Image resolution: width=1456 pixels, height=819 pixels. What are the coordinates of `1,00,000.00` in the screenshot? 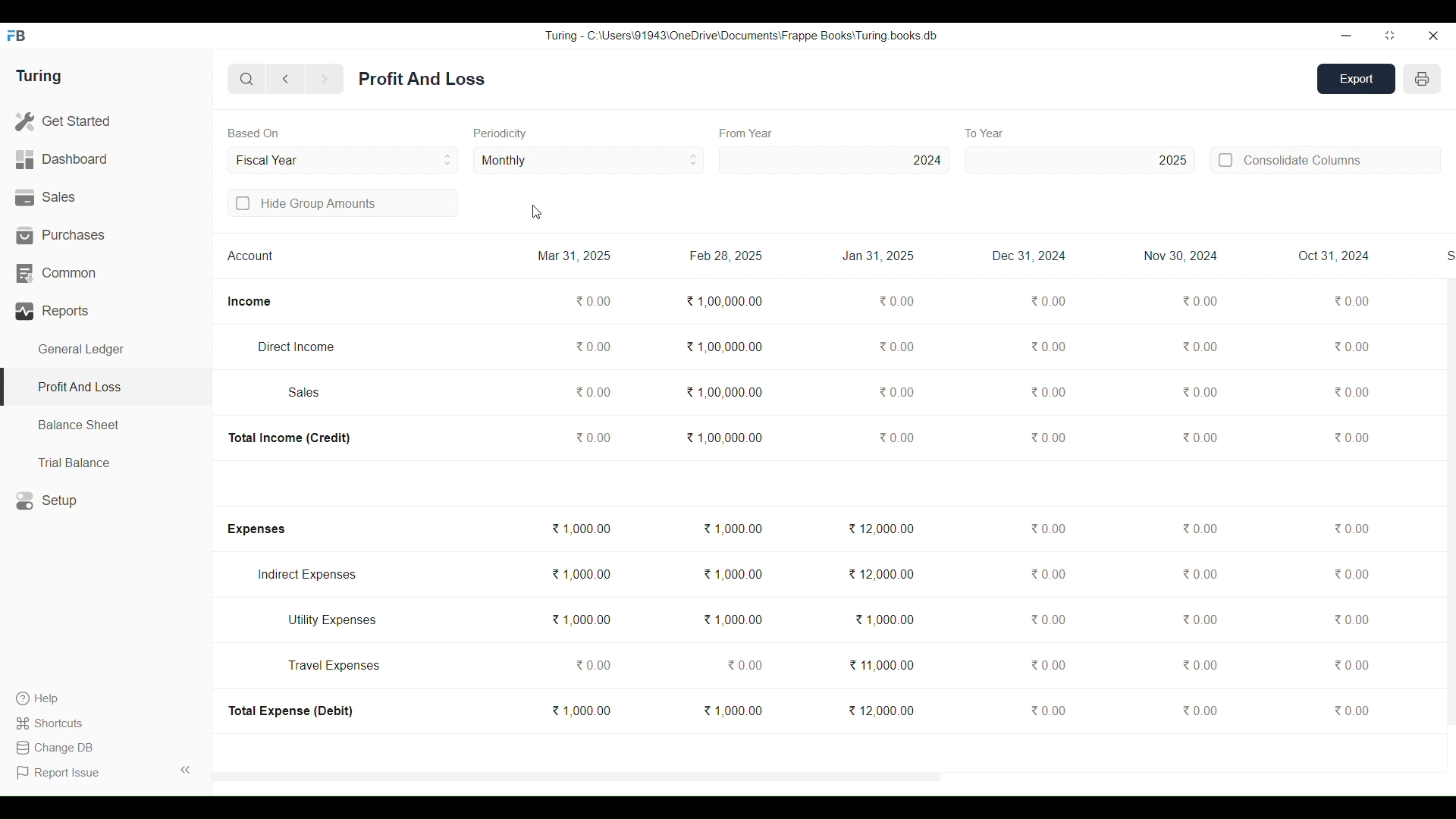 It's located at (723, 346).